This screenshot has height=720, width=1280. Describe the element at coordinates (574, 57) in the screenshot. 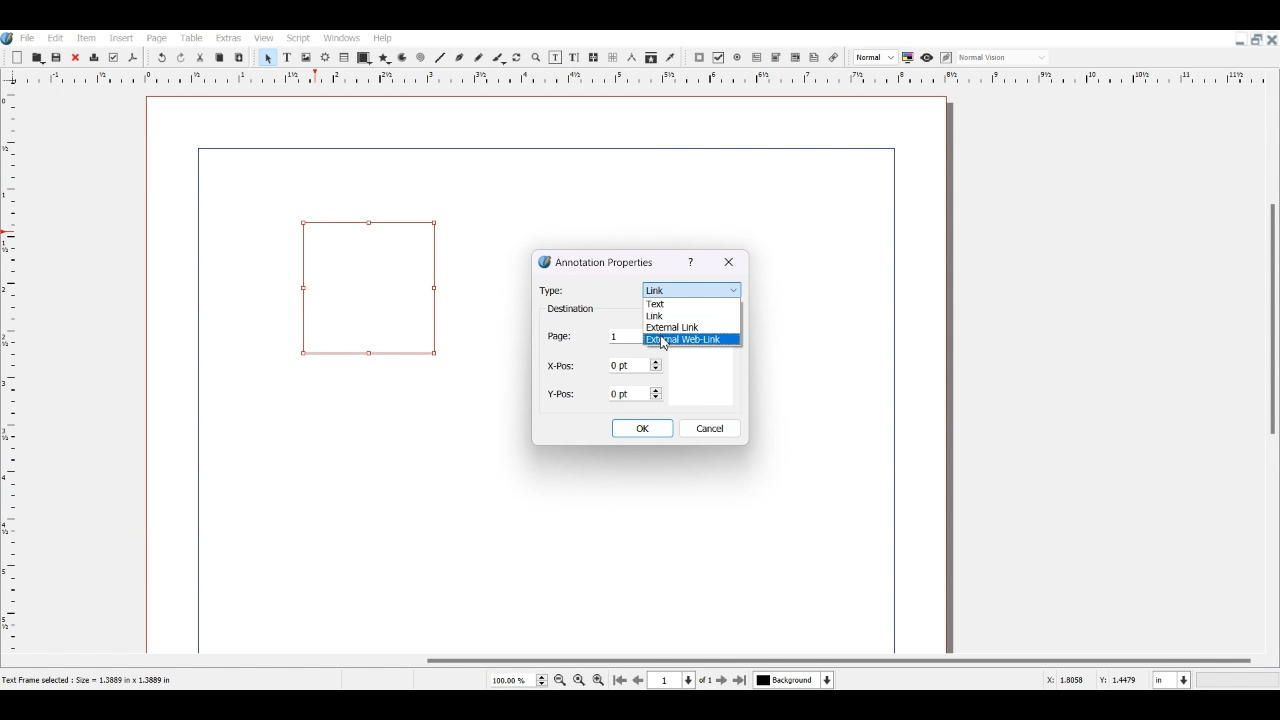

I see `Edit Text` at that location.